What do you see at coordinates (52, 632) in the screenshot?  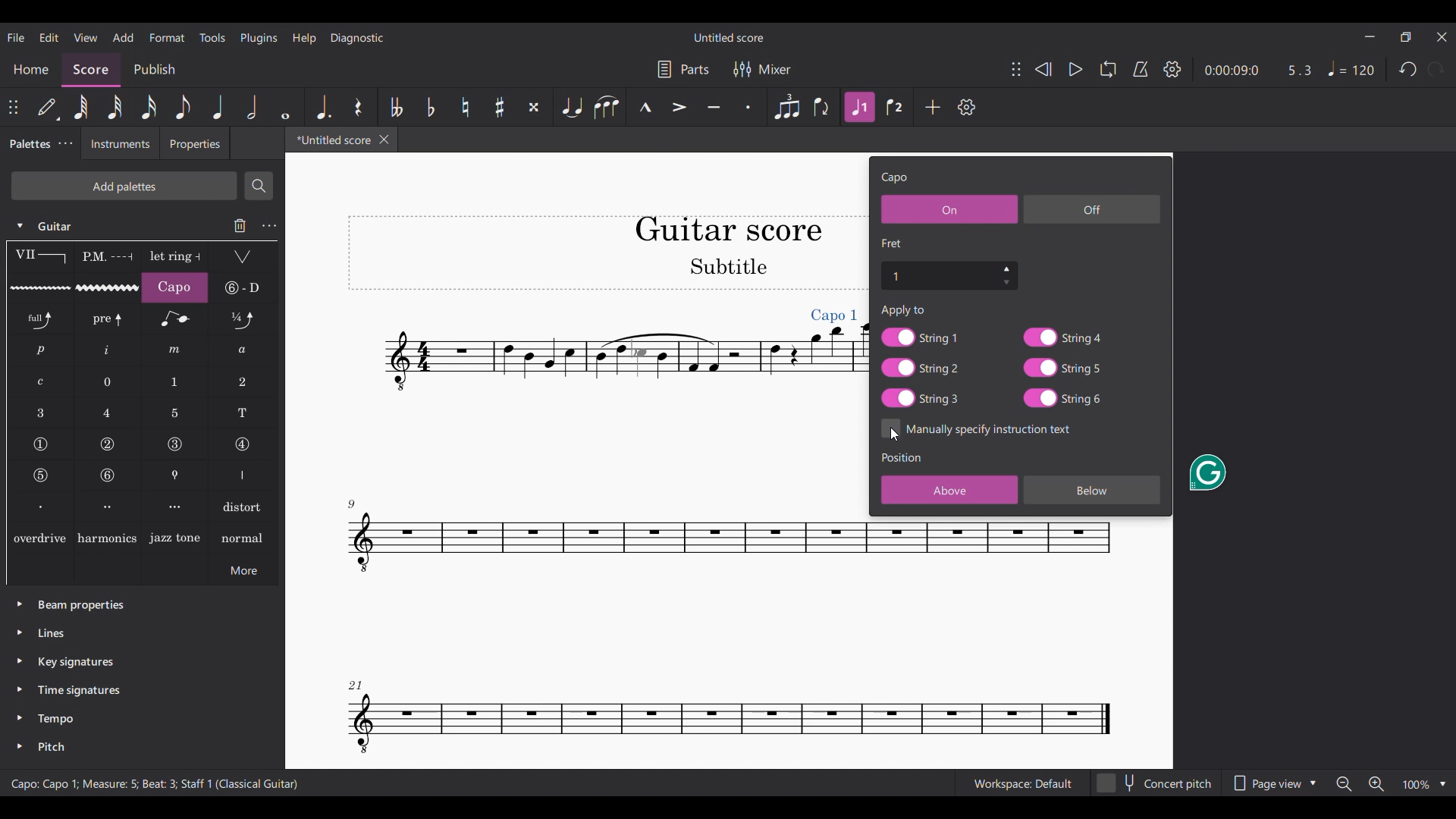 I see `Lines palette` at bounding box center [52, 632].